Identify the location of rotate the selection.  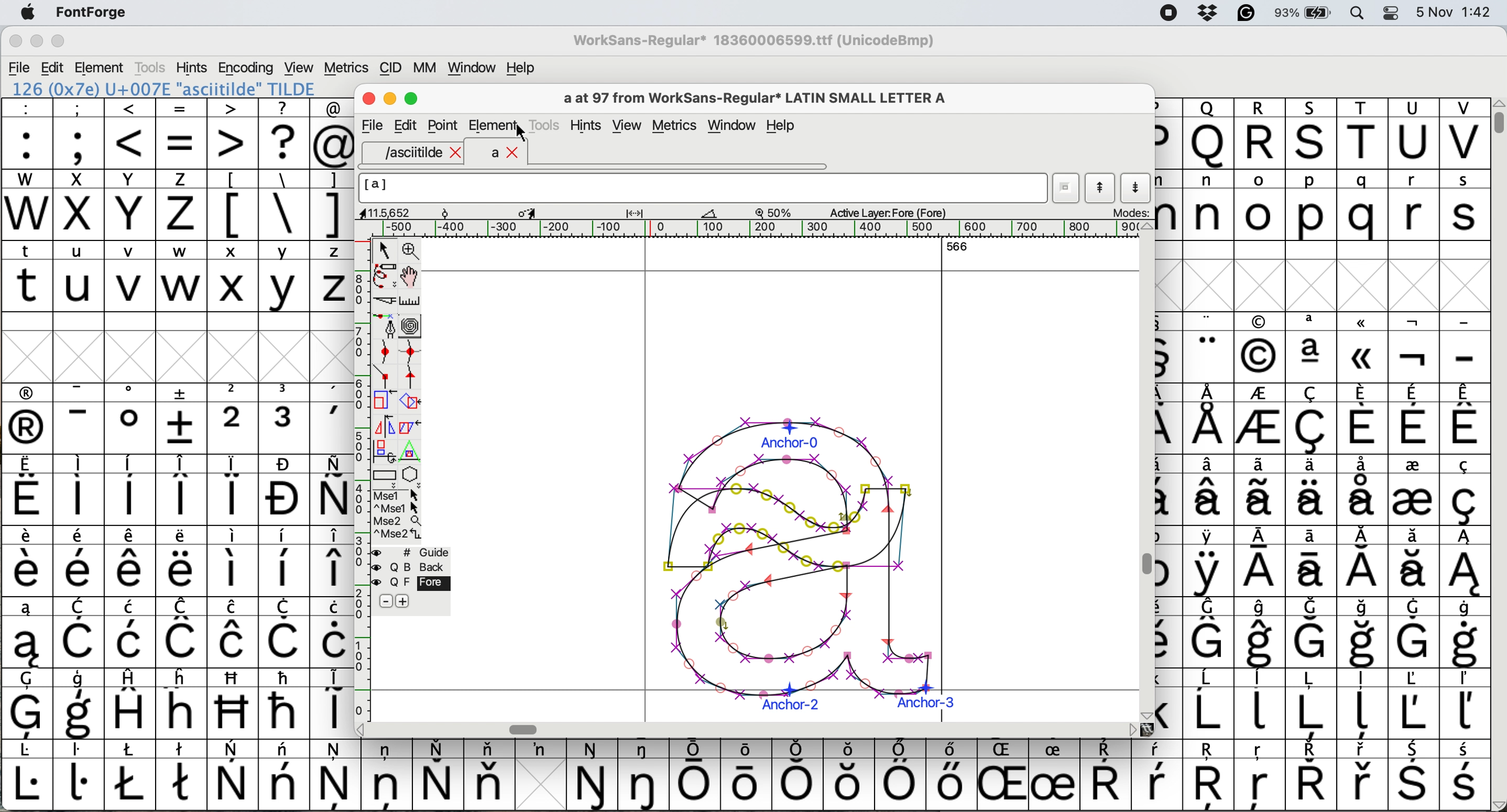
(416, 402).